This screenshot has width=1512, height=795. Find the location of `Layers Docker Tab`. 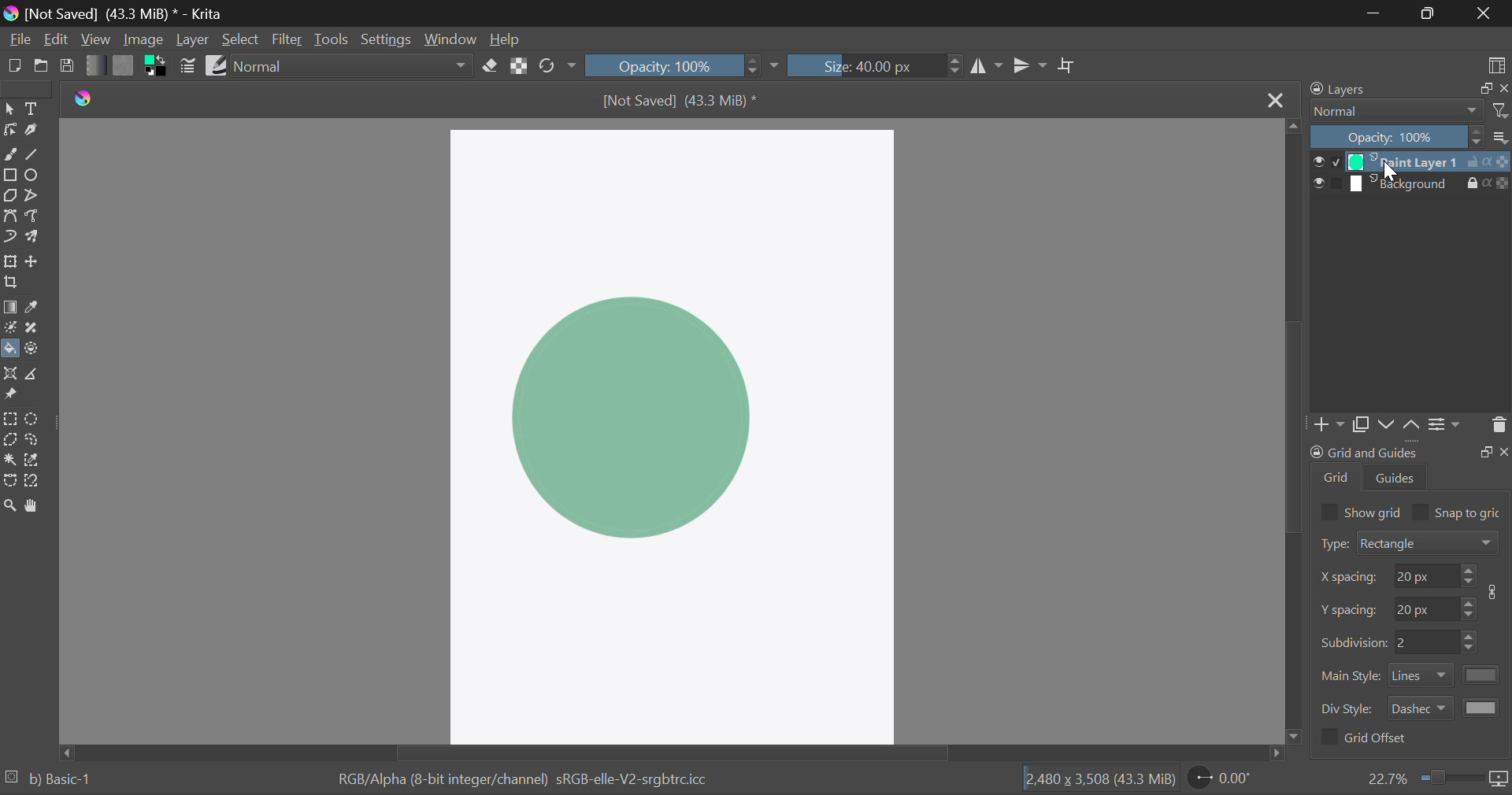

Layers Docker Tab is located at coordinates (1405, 91).